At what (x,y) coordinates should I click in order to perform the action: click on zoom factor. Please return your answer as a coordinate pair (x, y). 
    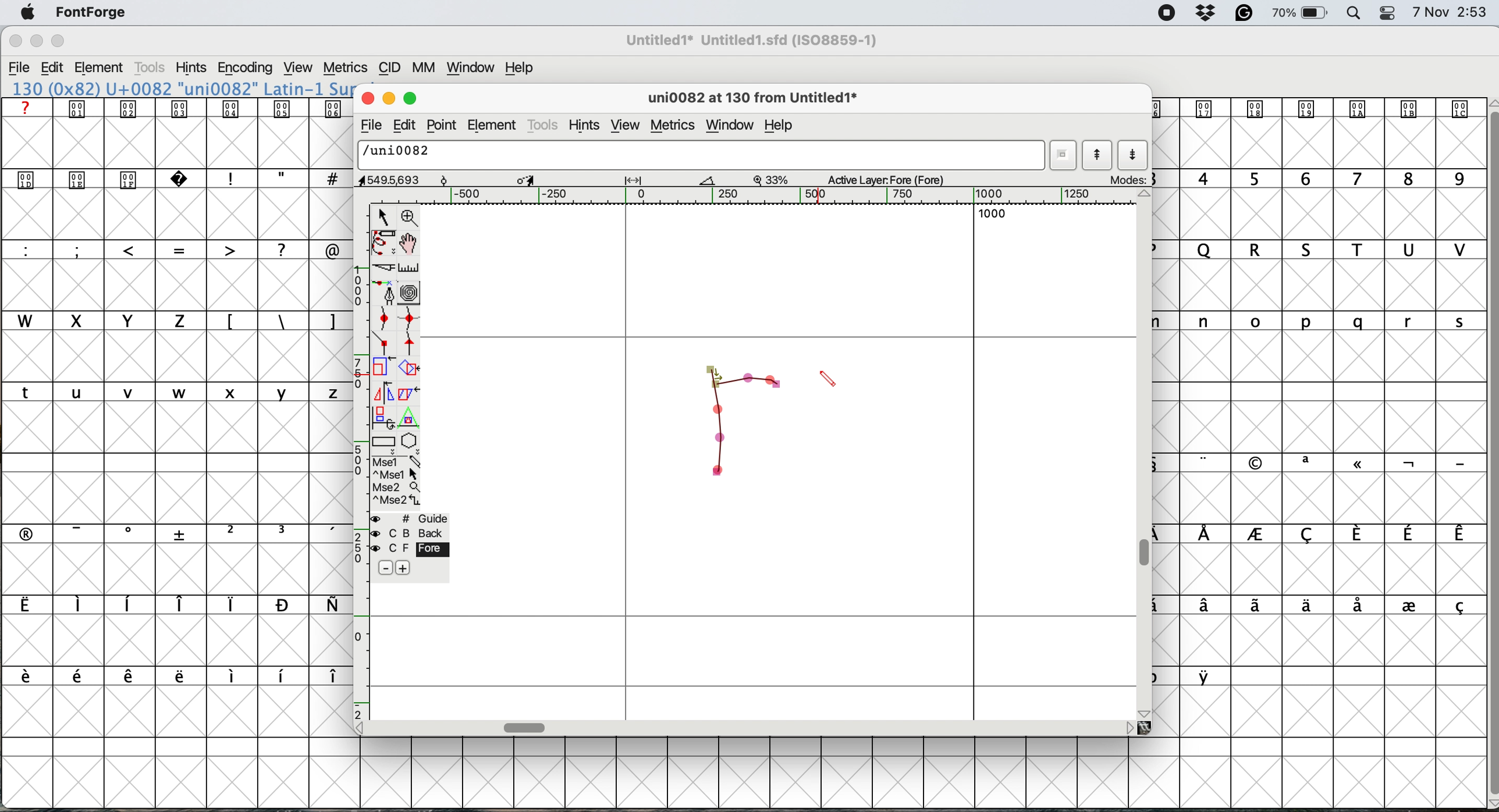
    Looking at the image, I should click on (773, 179).